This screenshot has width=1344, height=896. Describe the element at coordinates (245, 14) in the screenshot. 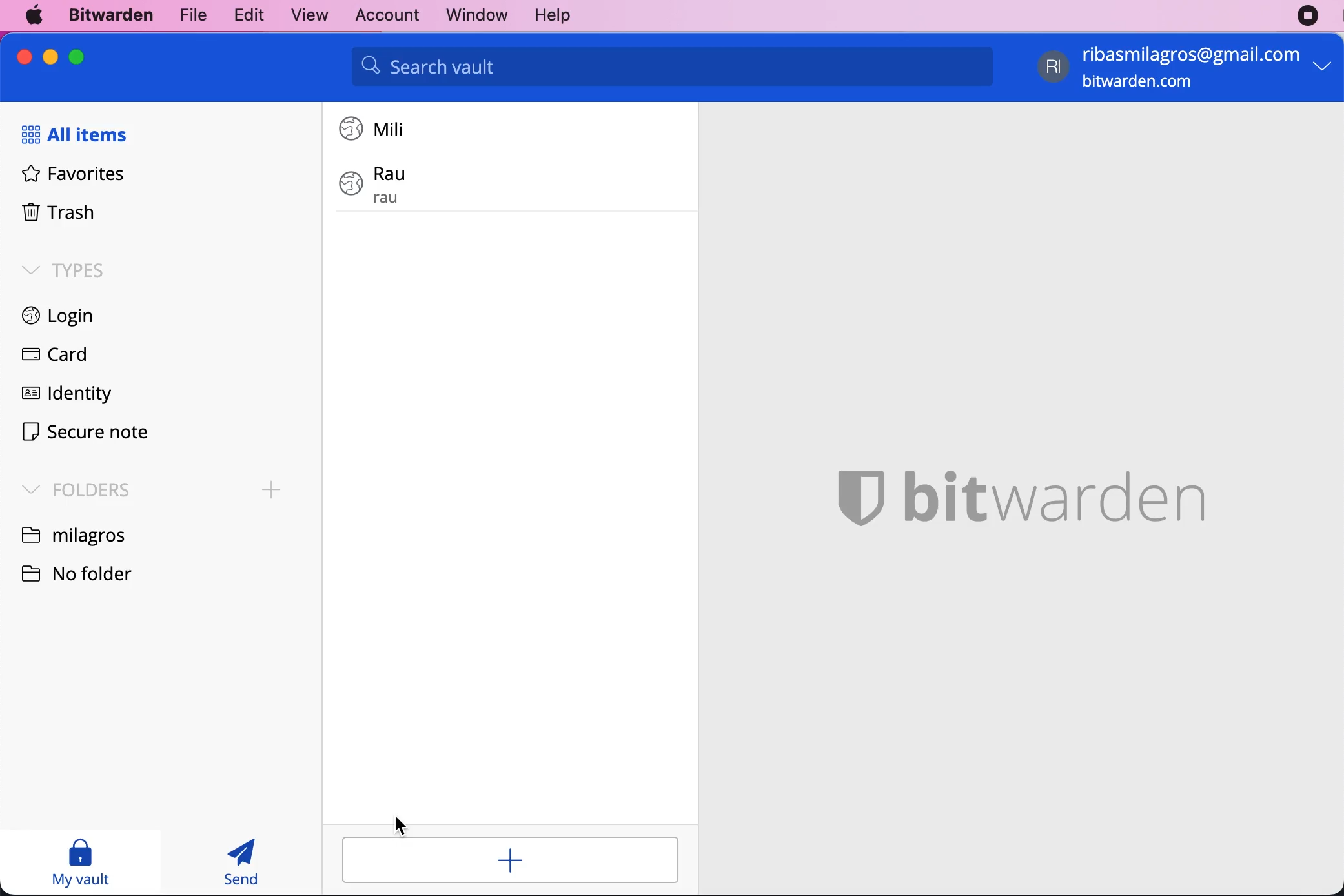

I see `edit` at that location.